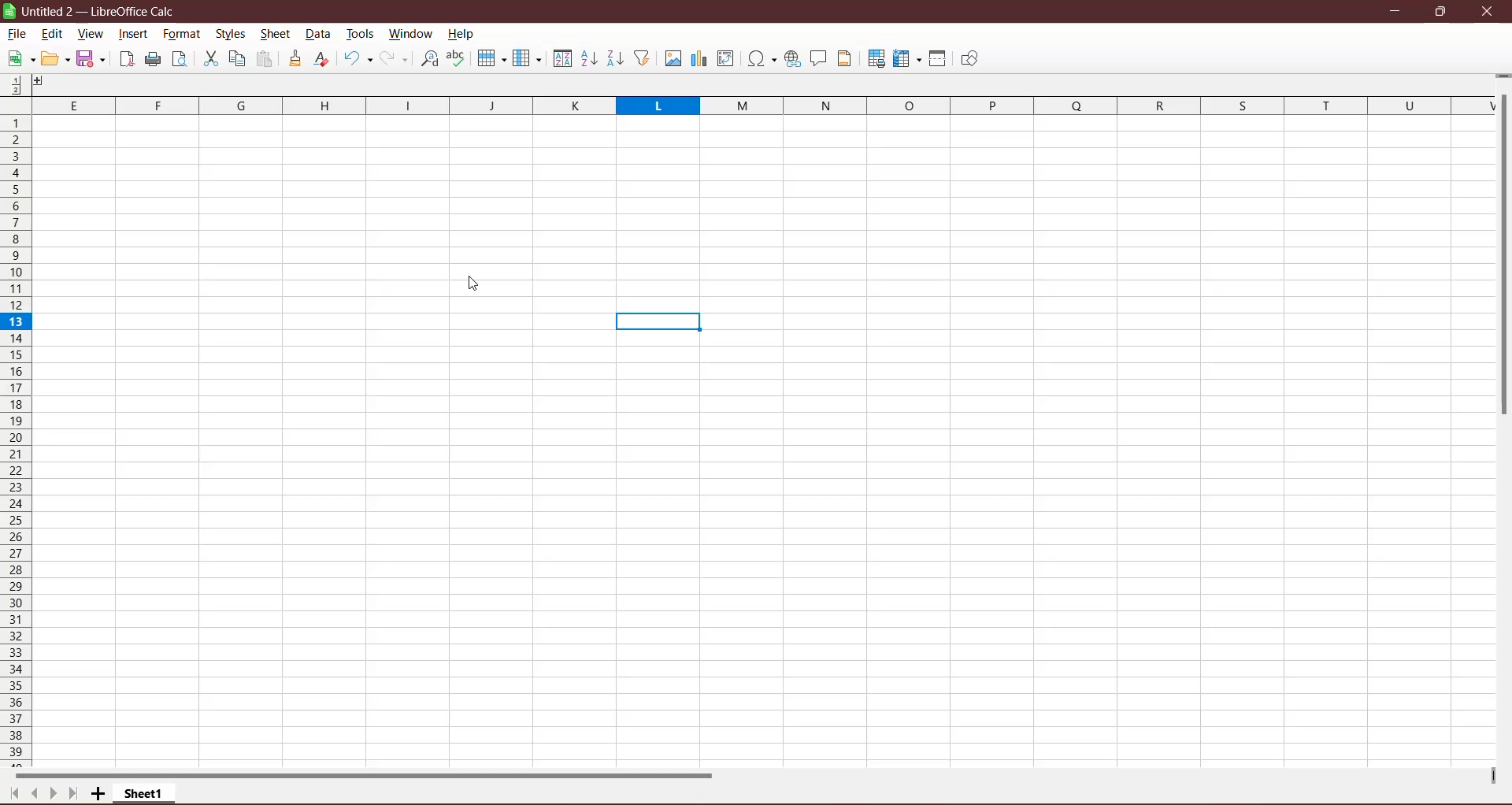 This screenshot has height=805, width=1512. Describe the element at coordinates (323, 59) in the screenshot. I see `Clear Formatting` at that location.